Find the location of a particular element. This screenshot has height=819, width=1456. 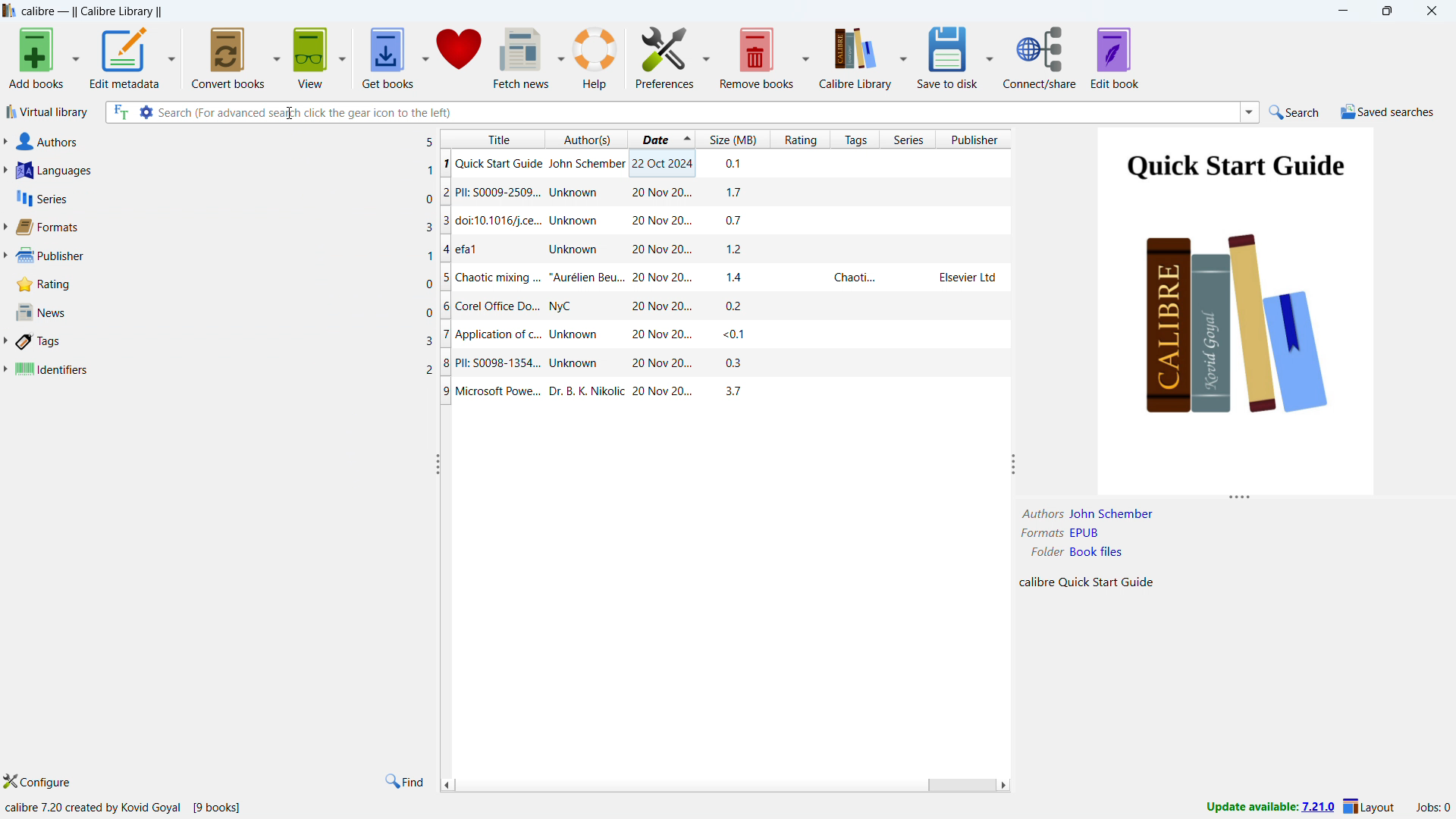

sort by rating is located at coordinates (799, 139).